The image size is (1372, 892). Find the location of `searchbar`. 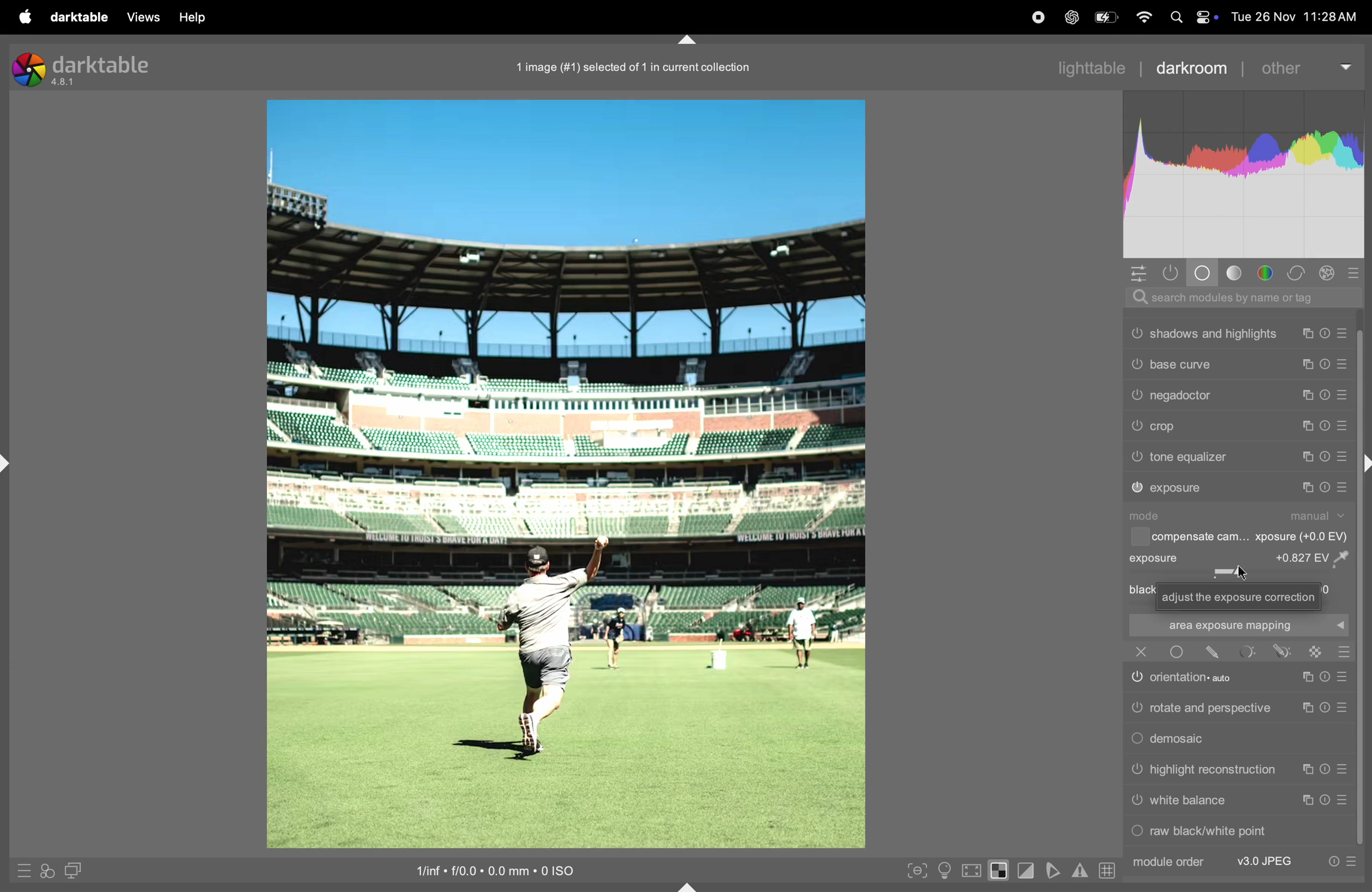

searchbar is located at coordinates (1238, 297).